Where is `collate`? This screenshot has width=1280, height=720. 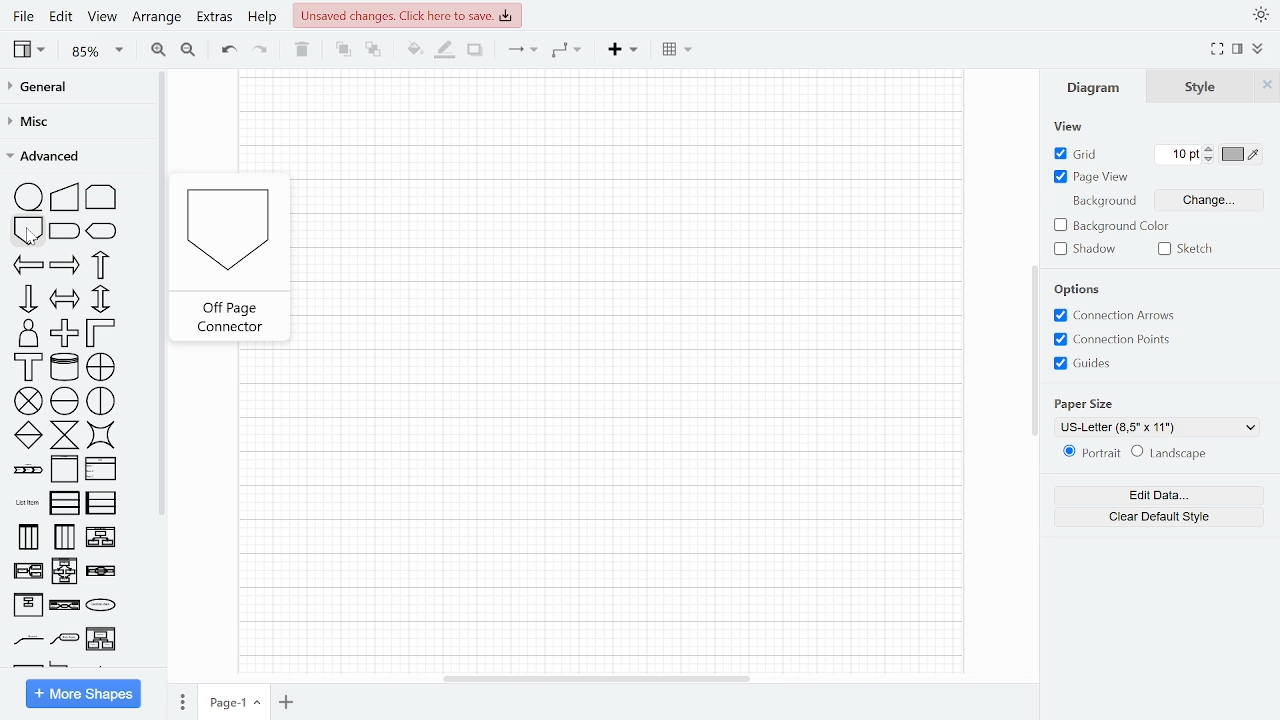
collate is located at coordinates (66, 434).